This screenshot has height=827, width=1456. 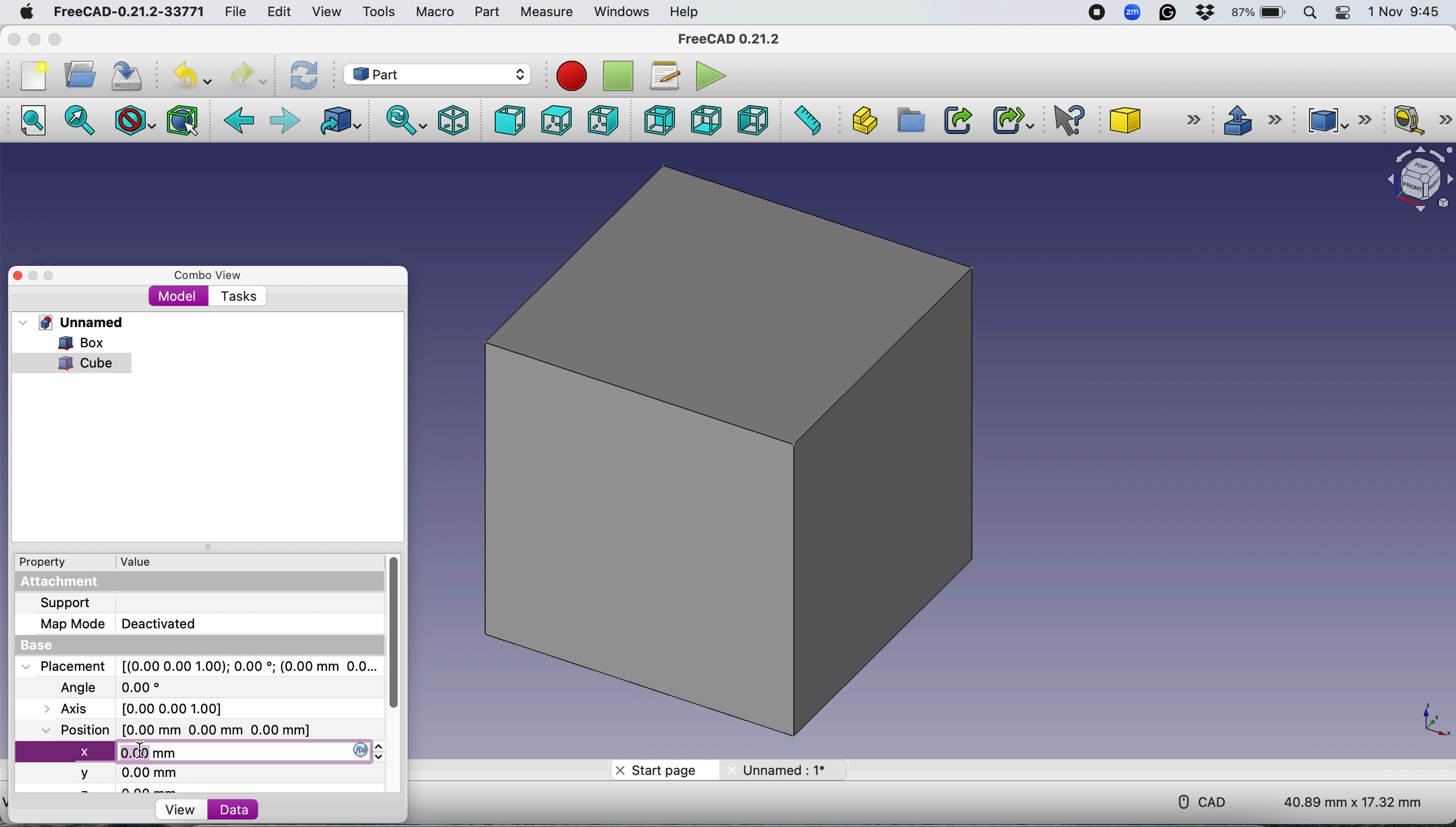 What do you see at coordinates (752, 120) in the screenshot?
I see `Left` at bounding box center [752, 120].